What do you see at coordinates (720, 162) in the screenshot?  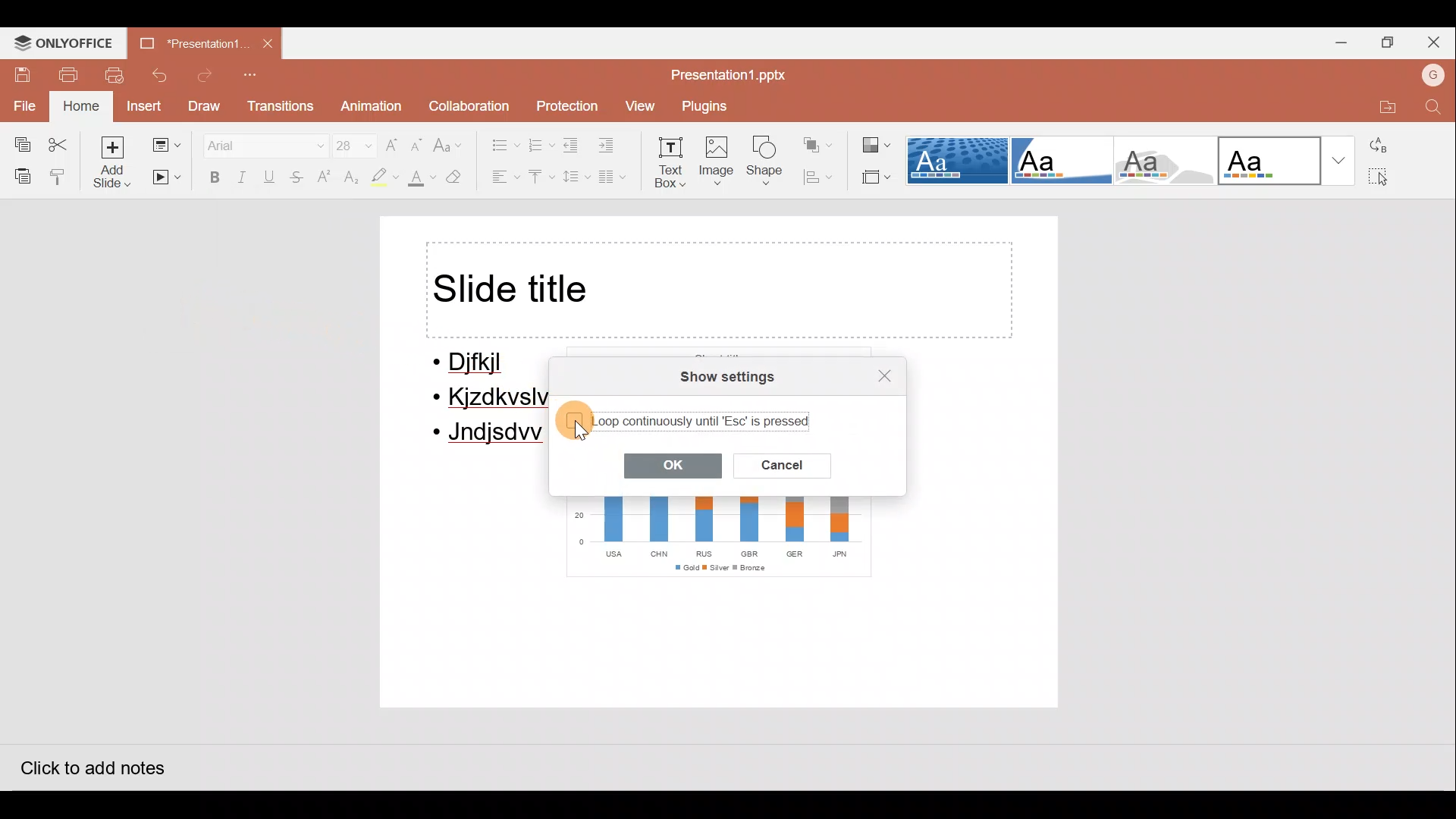 I see `Image` at bounding box center [720, 162].